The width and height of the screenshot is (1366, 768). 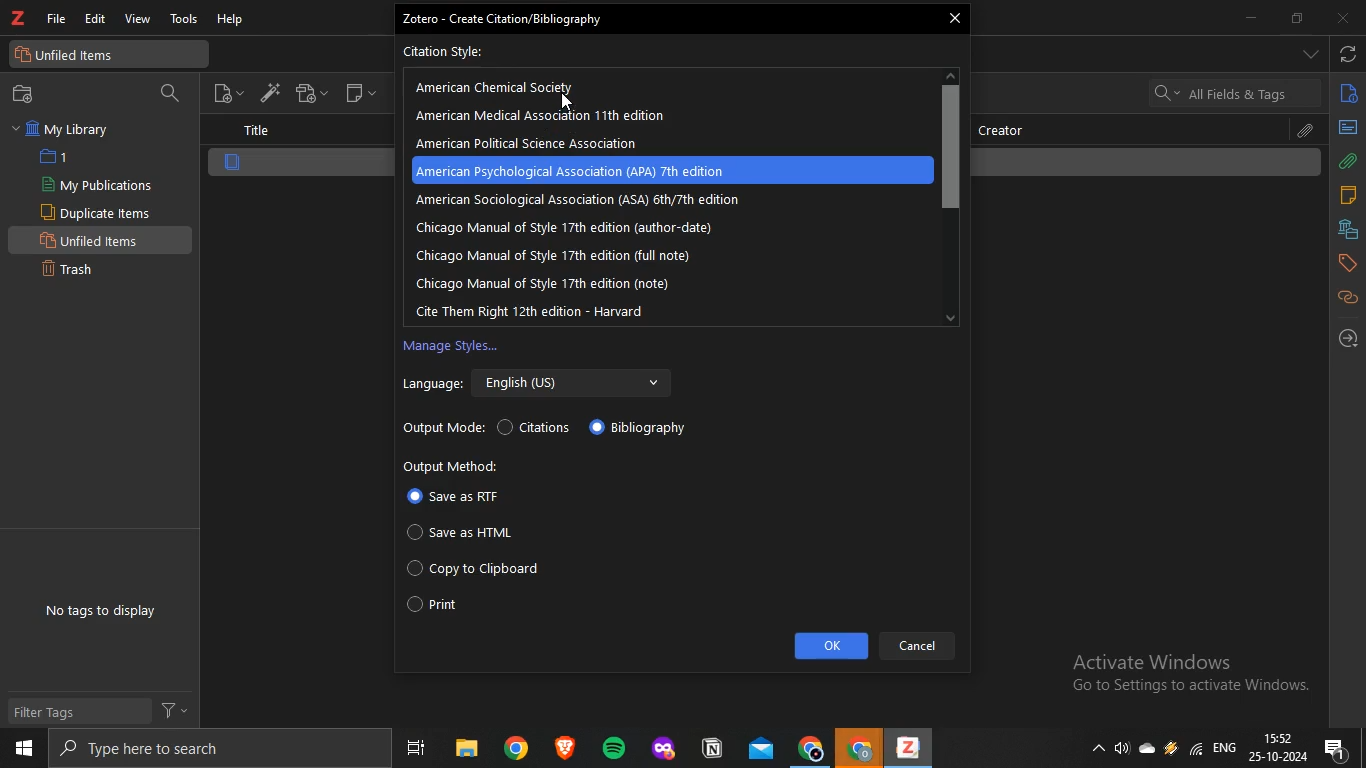 I want to click on drive, so click(x=1171, y=747).